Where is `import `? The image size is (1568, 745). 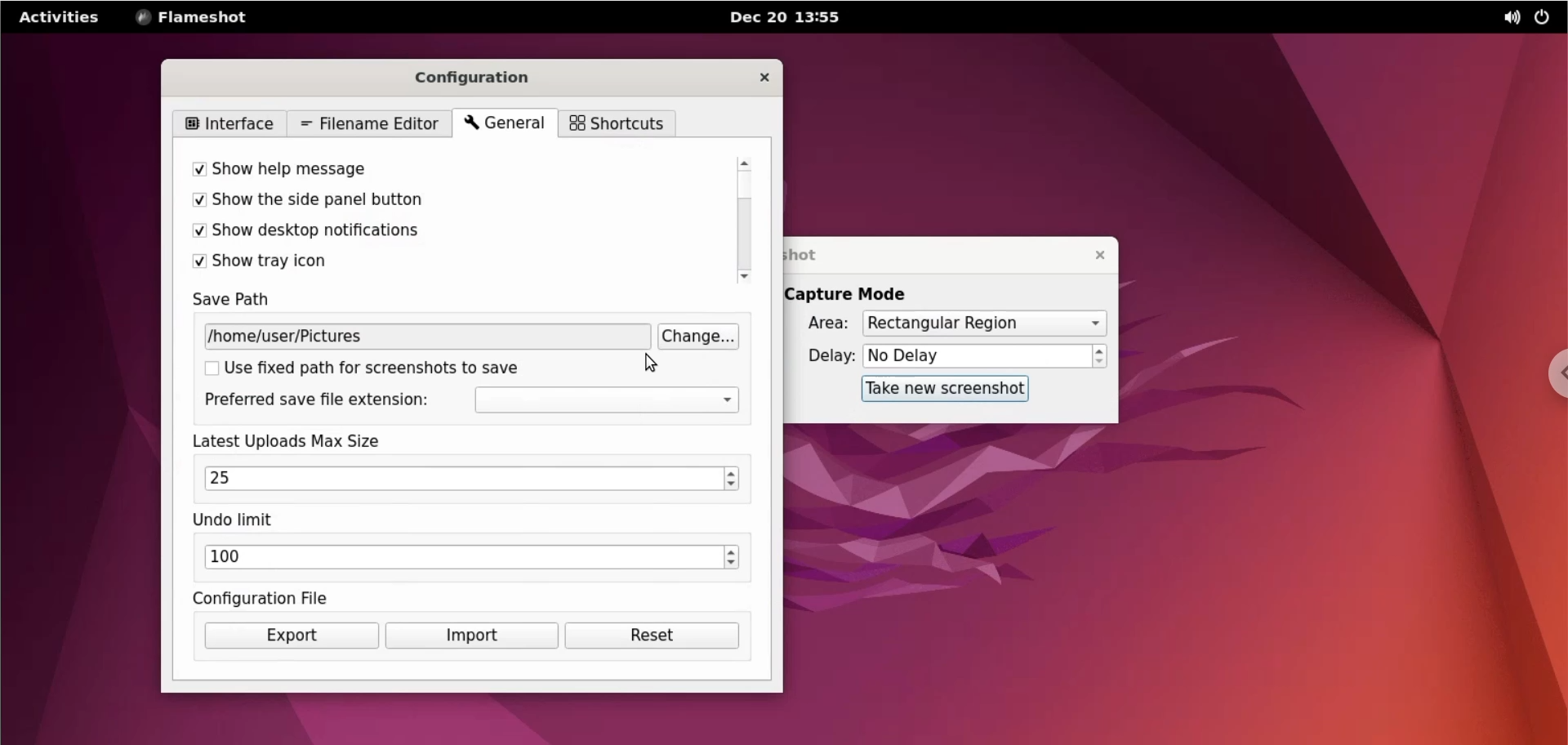 import  is located at coordinates (470, 636).